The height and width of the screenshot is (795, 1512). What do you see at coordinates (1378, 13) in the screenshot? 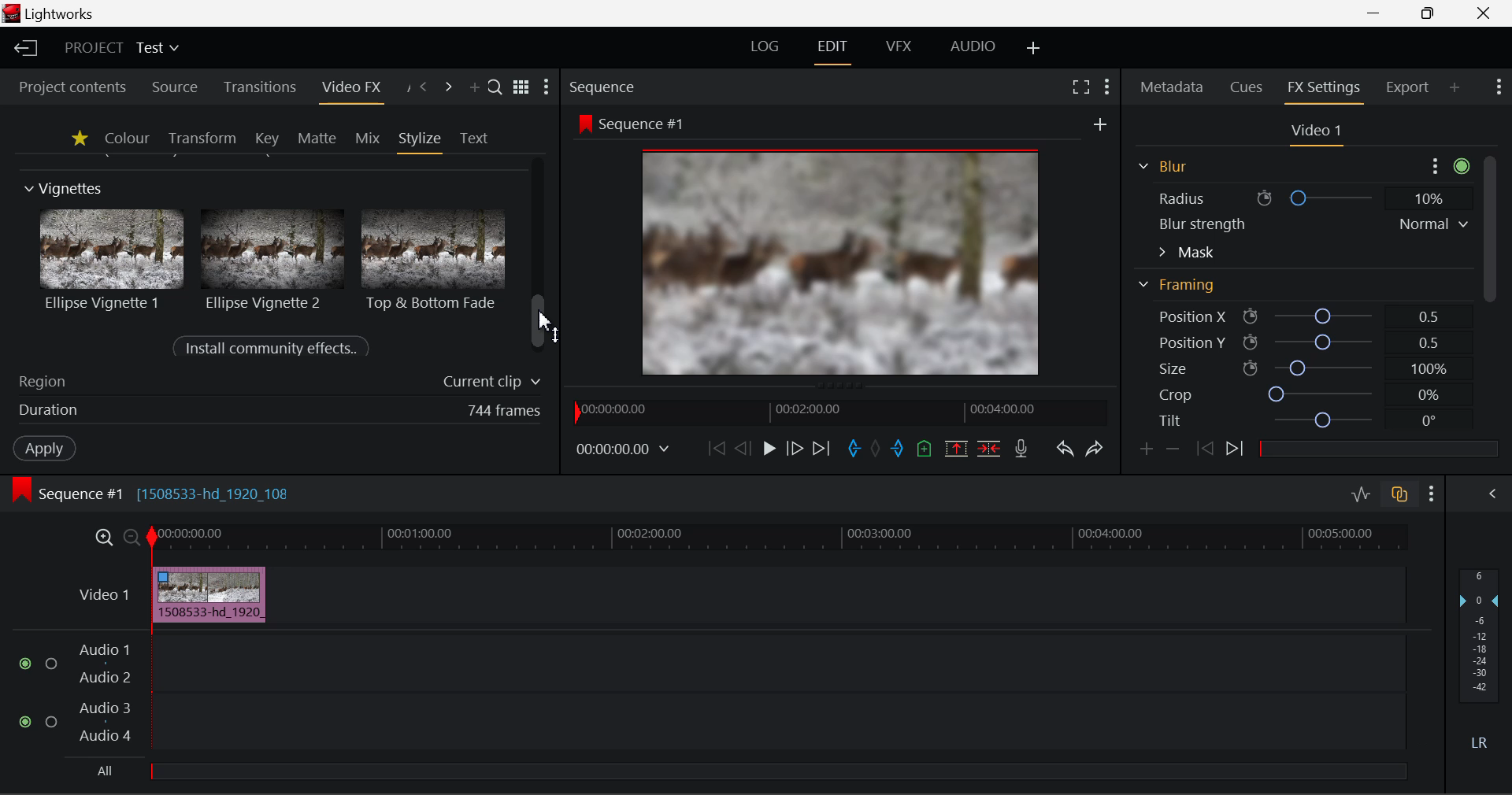
I see `Restore Down` at bounding box center [1378, 13].